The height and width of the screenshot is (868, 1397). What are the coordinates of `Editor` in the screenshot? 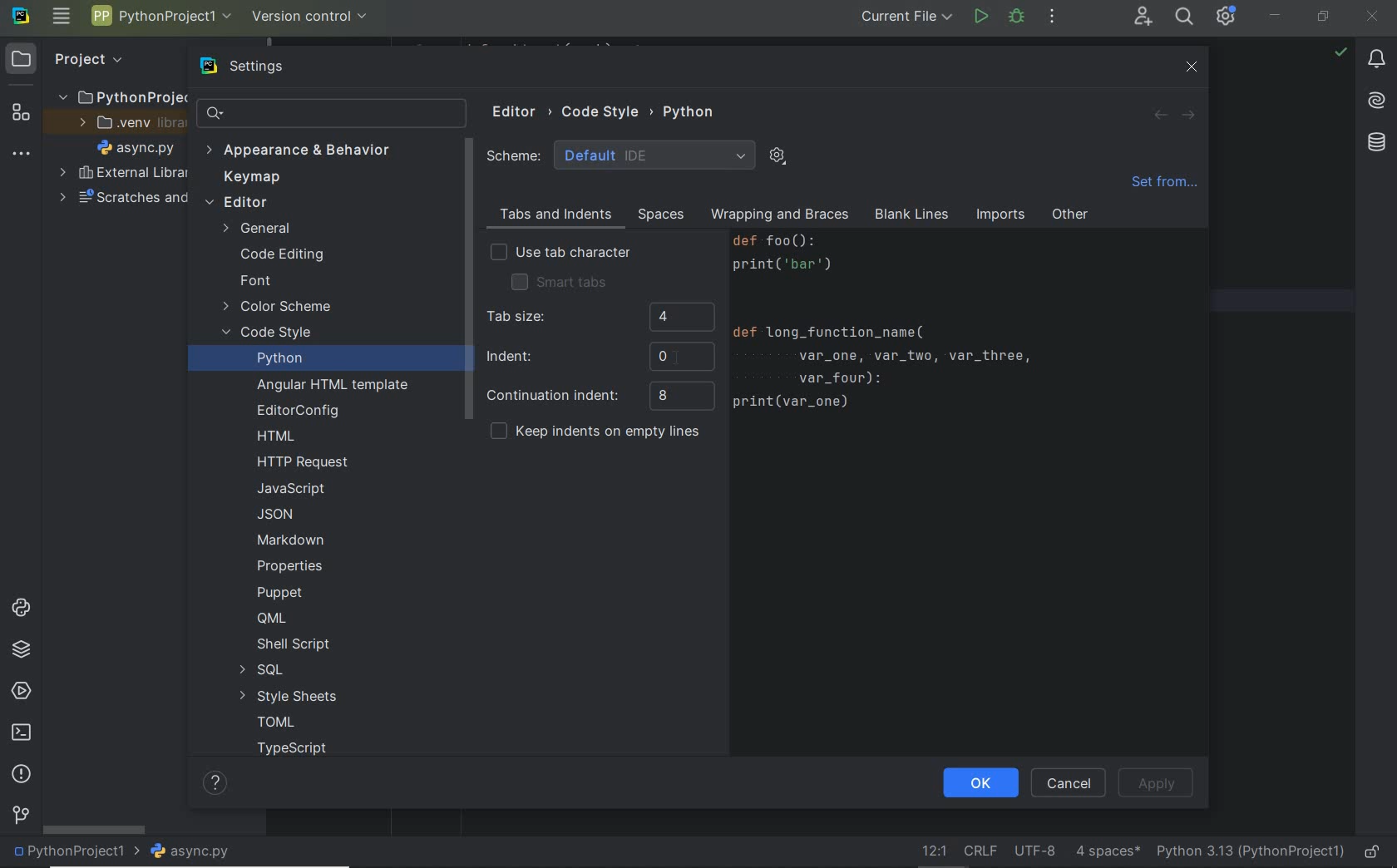 It's located at (521, 112).